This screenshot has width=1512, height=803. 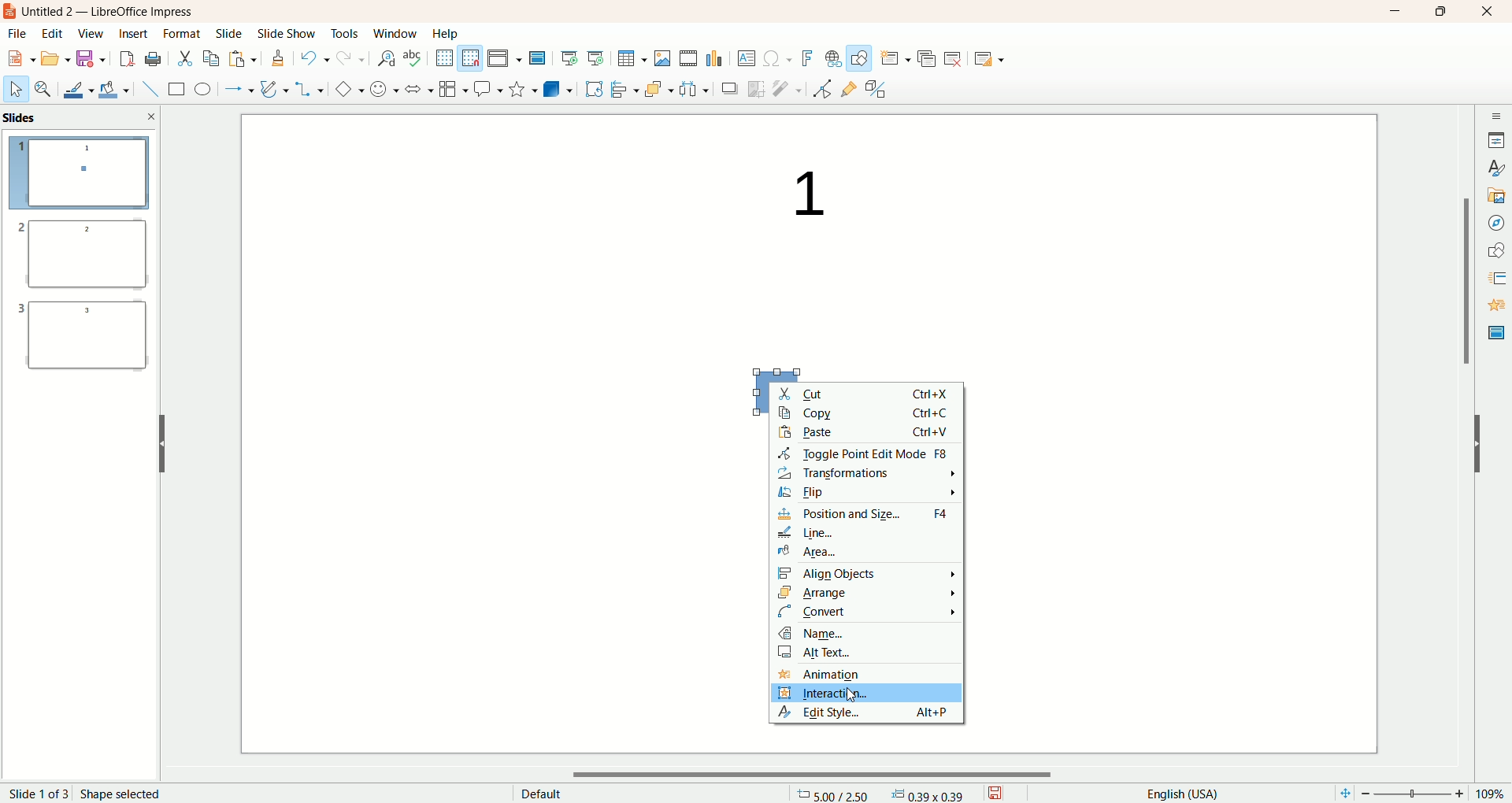 I want to click on ctrl+x, so click(x=933, y=392).